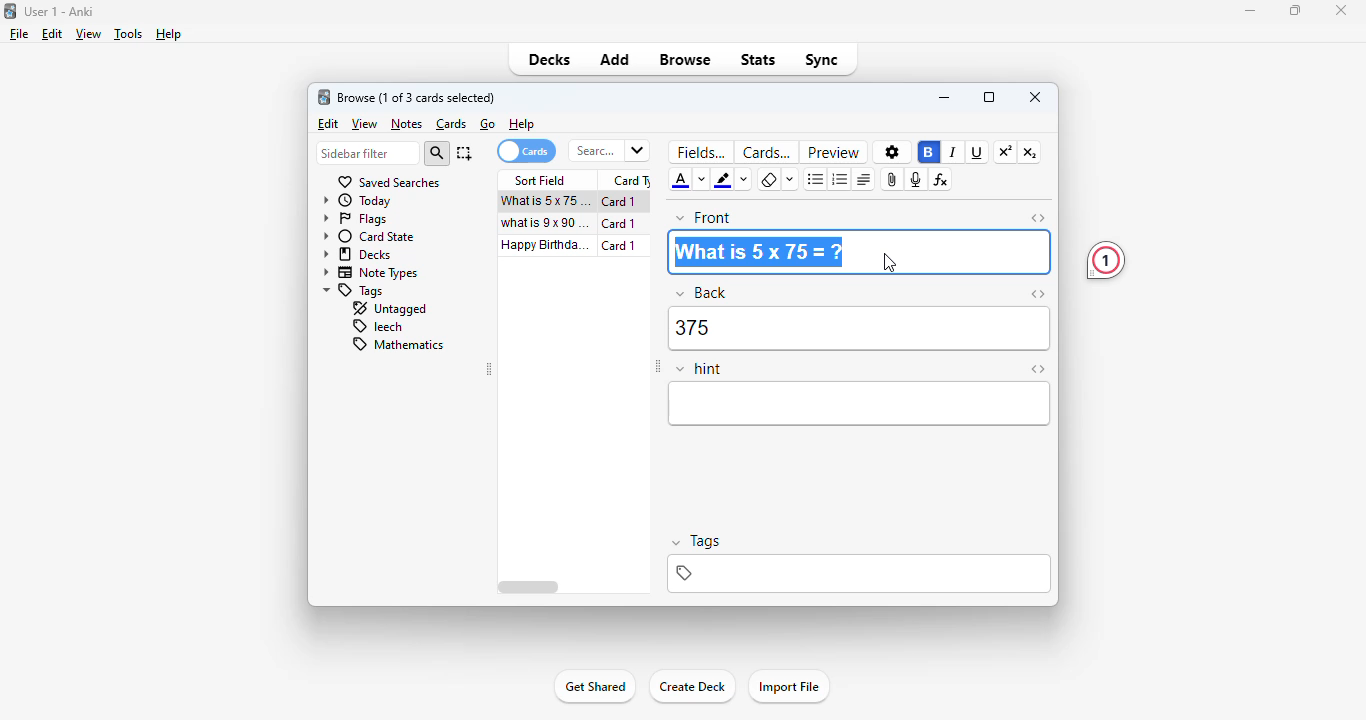 The height and width of the screenshot is (720, 1366). What do you see at coordinates (725, 180) in the screenshot?
I see `text highlight color` at bounding box center [725, 180].